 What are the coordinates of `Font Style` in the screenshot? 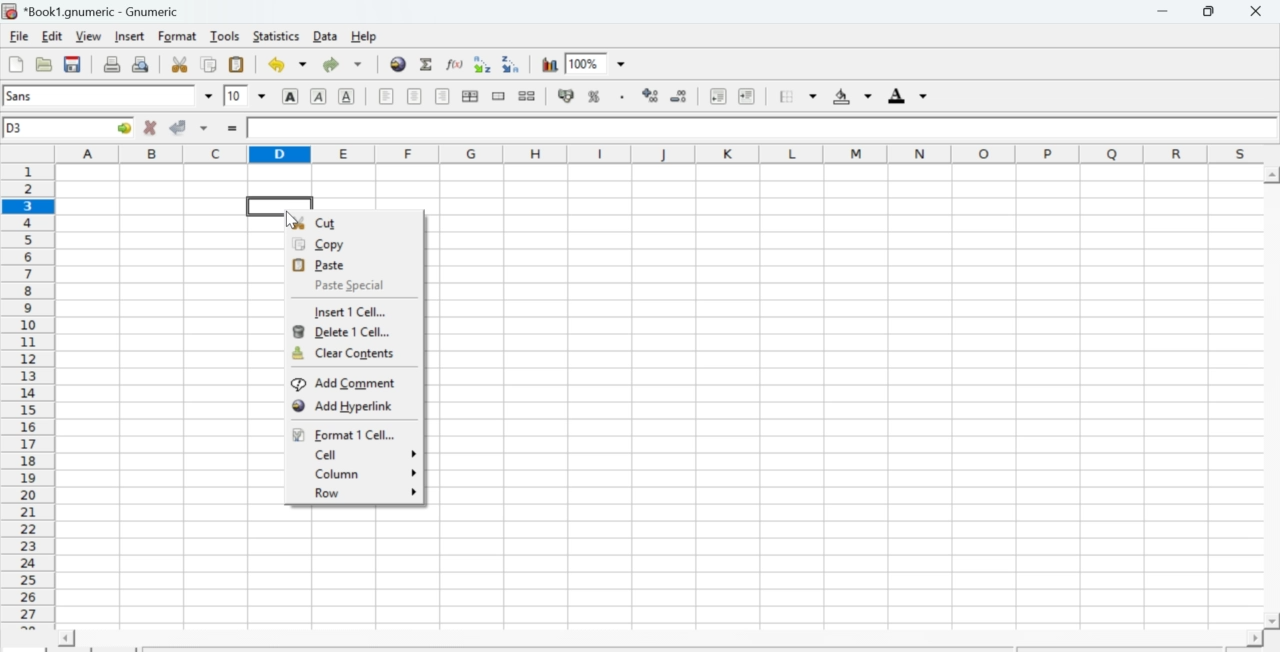 It's located at (100, 98).